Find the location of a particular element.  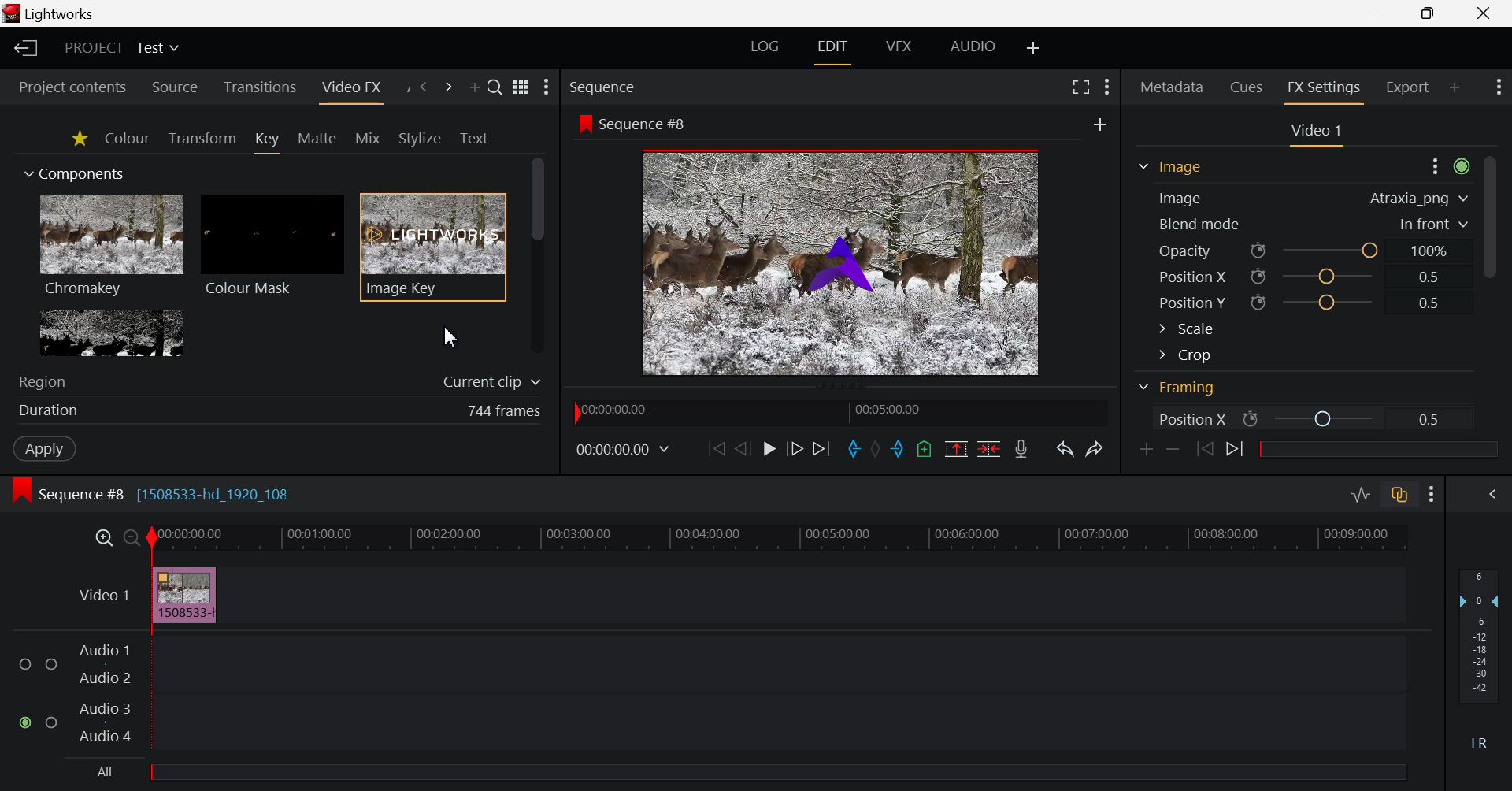

Go Forward is located at coordinates (795, 448).